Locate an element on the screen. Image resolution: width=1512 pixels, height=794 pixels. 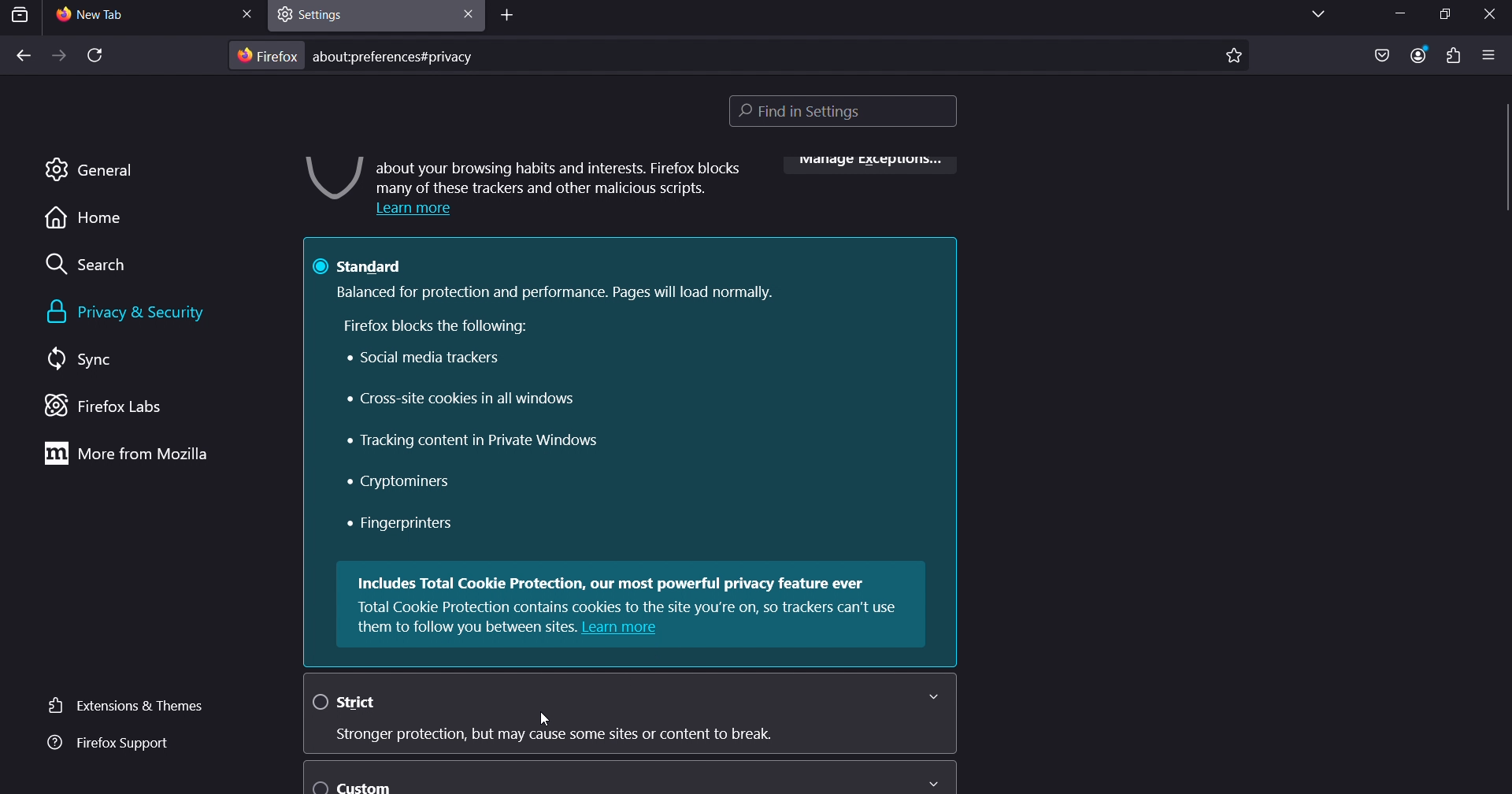
manage exceptions is located at coordinates (865, 164).